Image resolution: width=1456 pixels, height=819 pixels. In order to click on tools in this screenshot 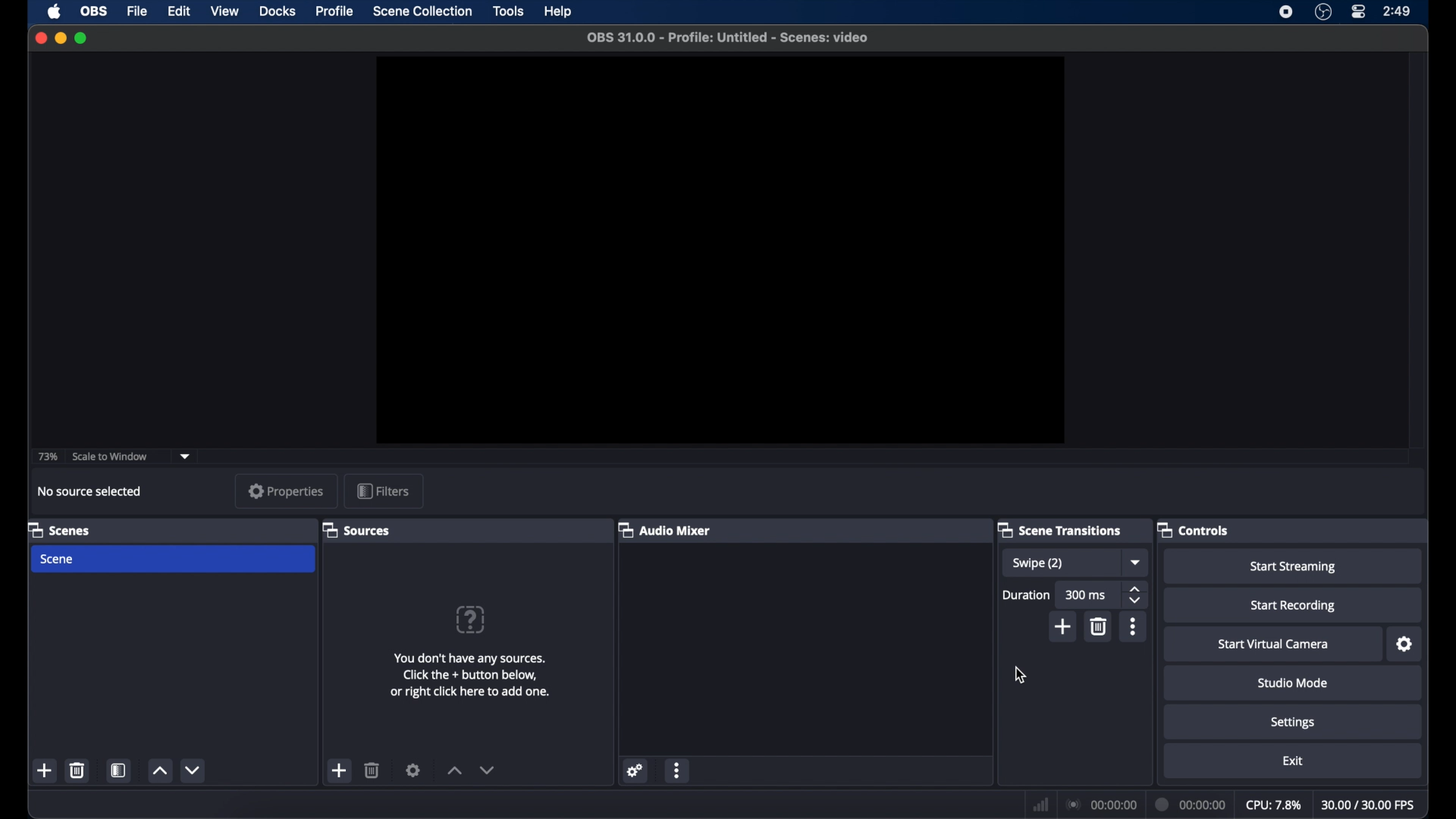, I will do `click(509, 11)`.